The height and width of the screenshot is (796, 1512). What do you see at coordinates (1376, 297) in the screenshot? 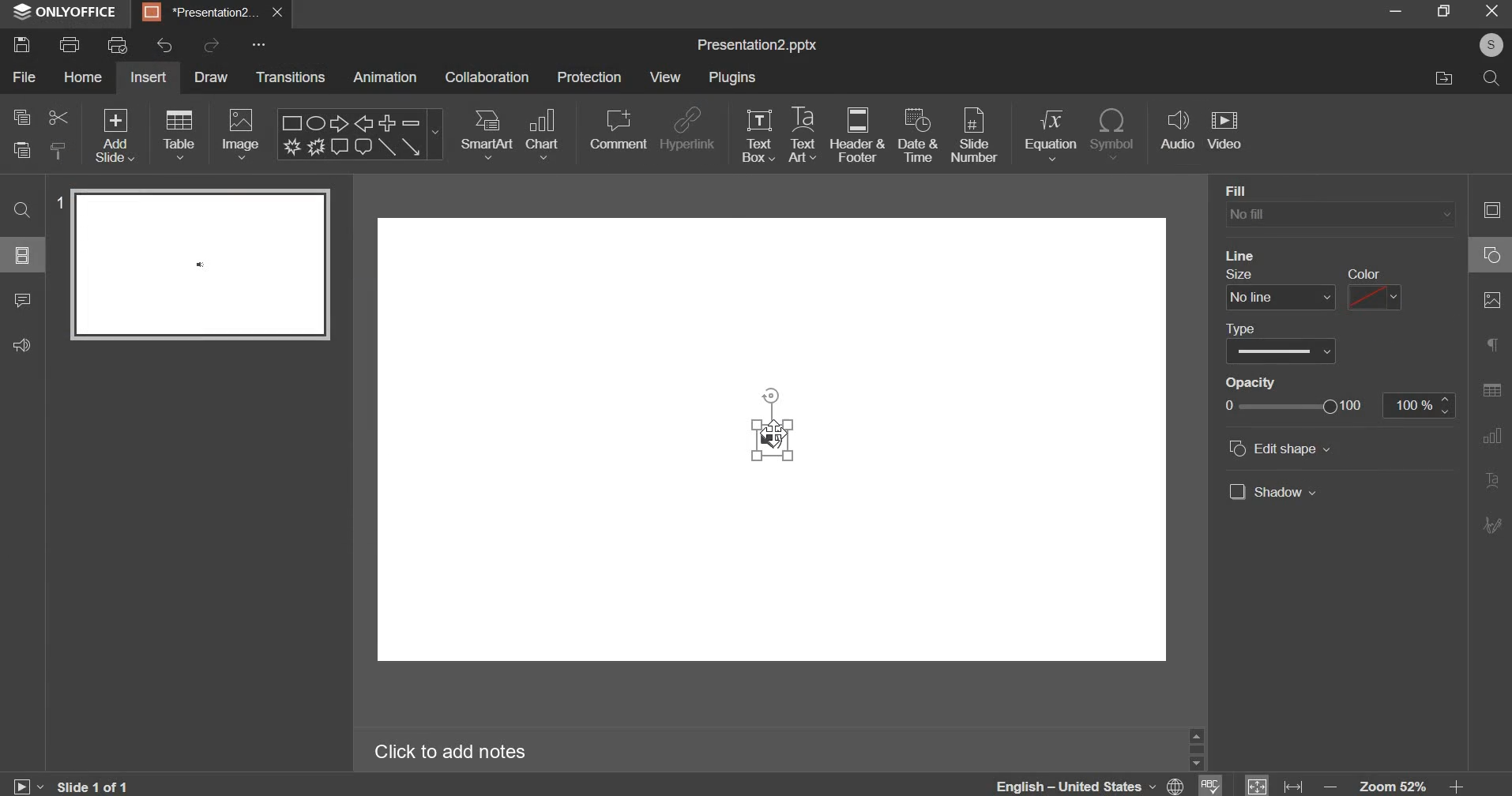
I see `line color` at bounding box center [1376, 297].